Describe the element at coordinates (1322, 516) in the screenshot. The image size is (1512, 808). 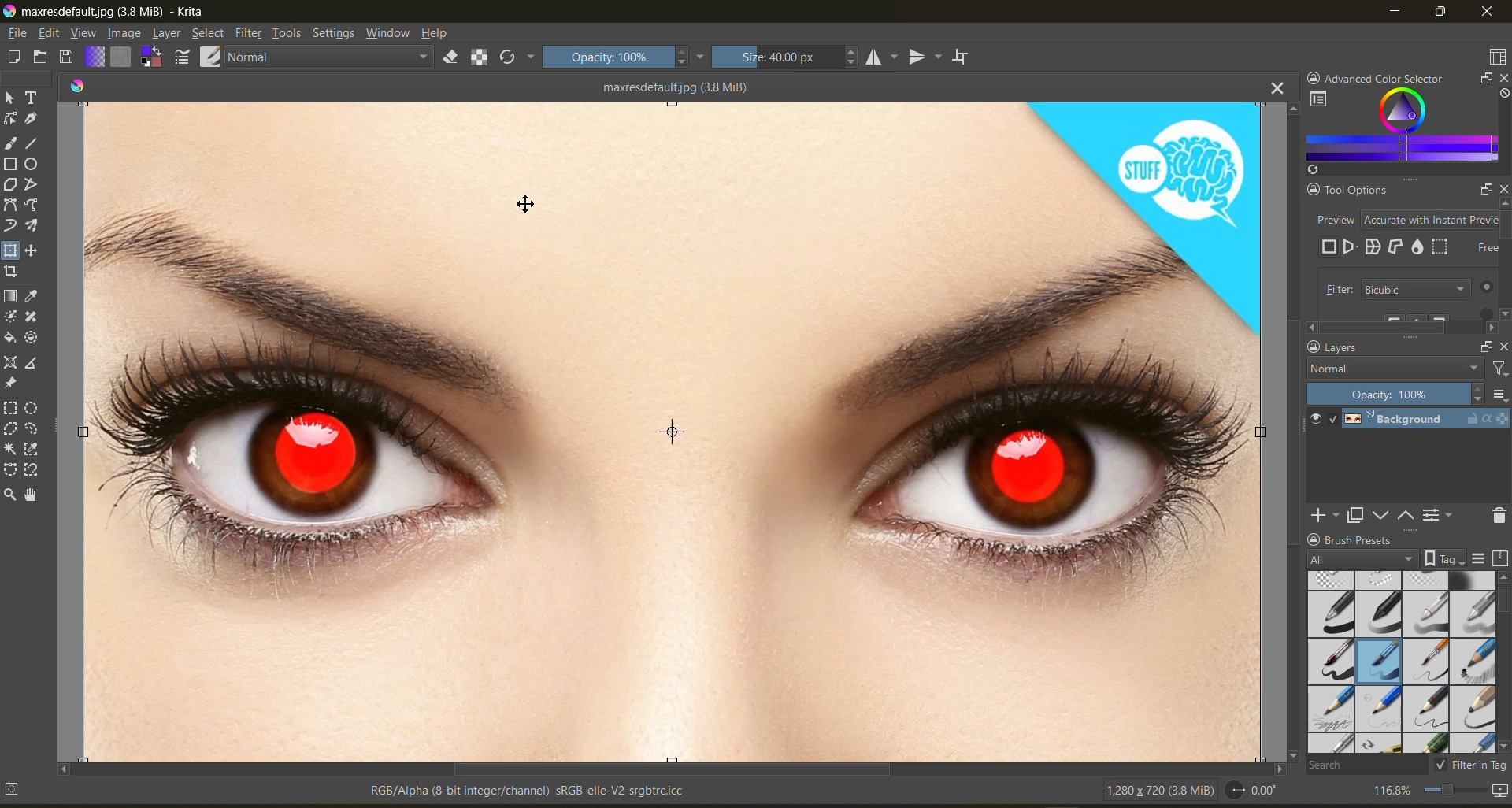
I see `add` at that location.